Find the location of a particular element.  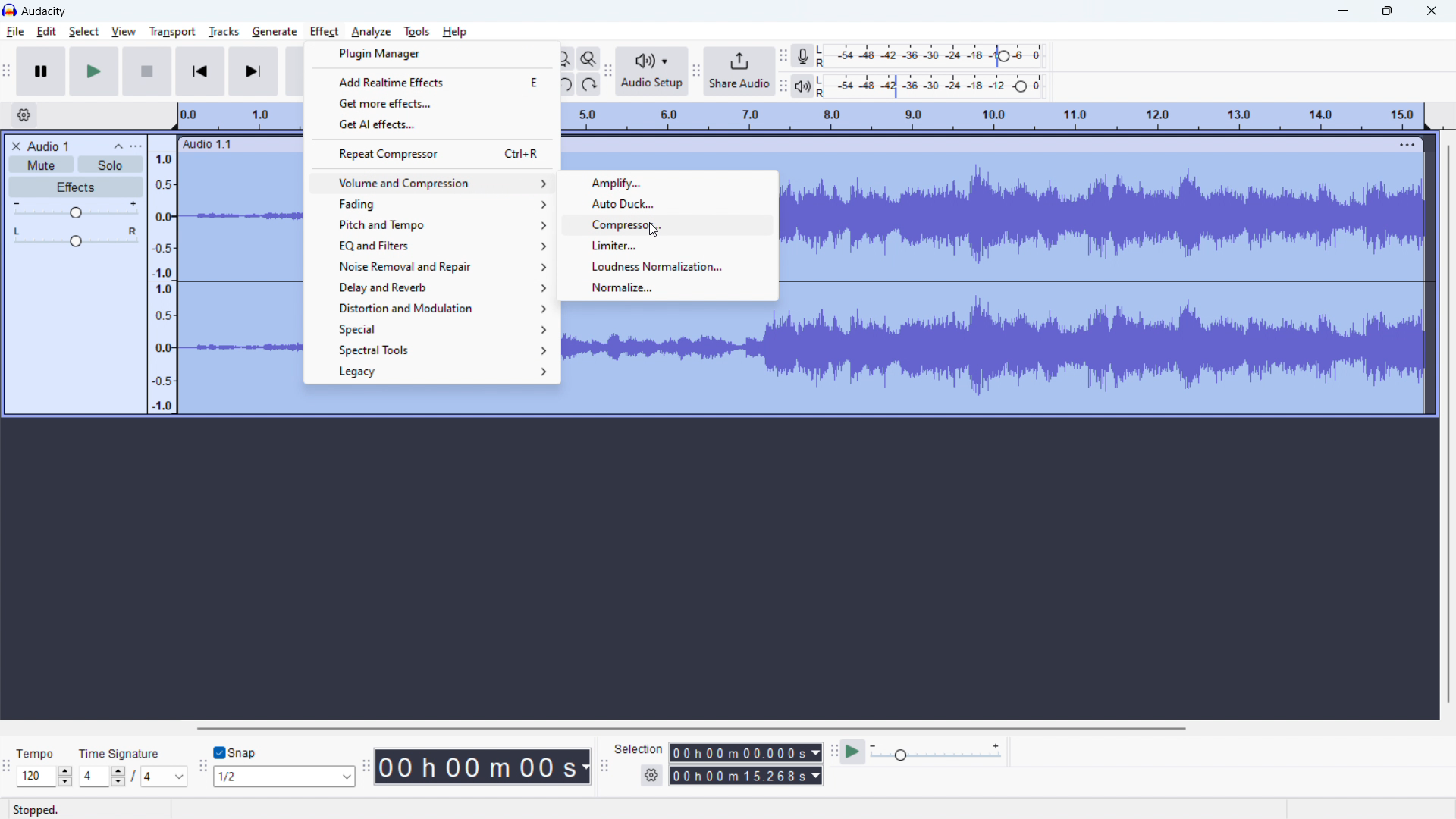

get more effects is located at coordinates (431, 103).